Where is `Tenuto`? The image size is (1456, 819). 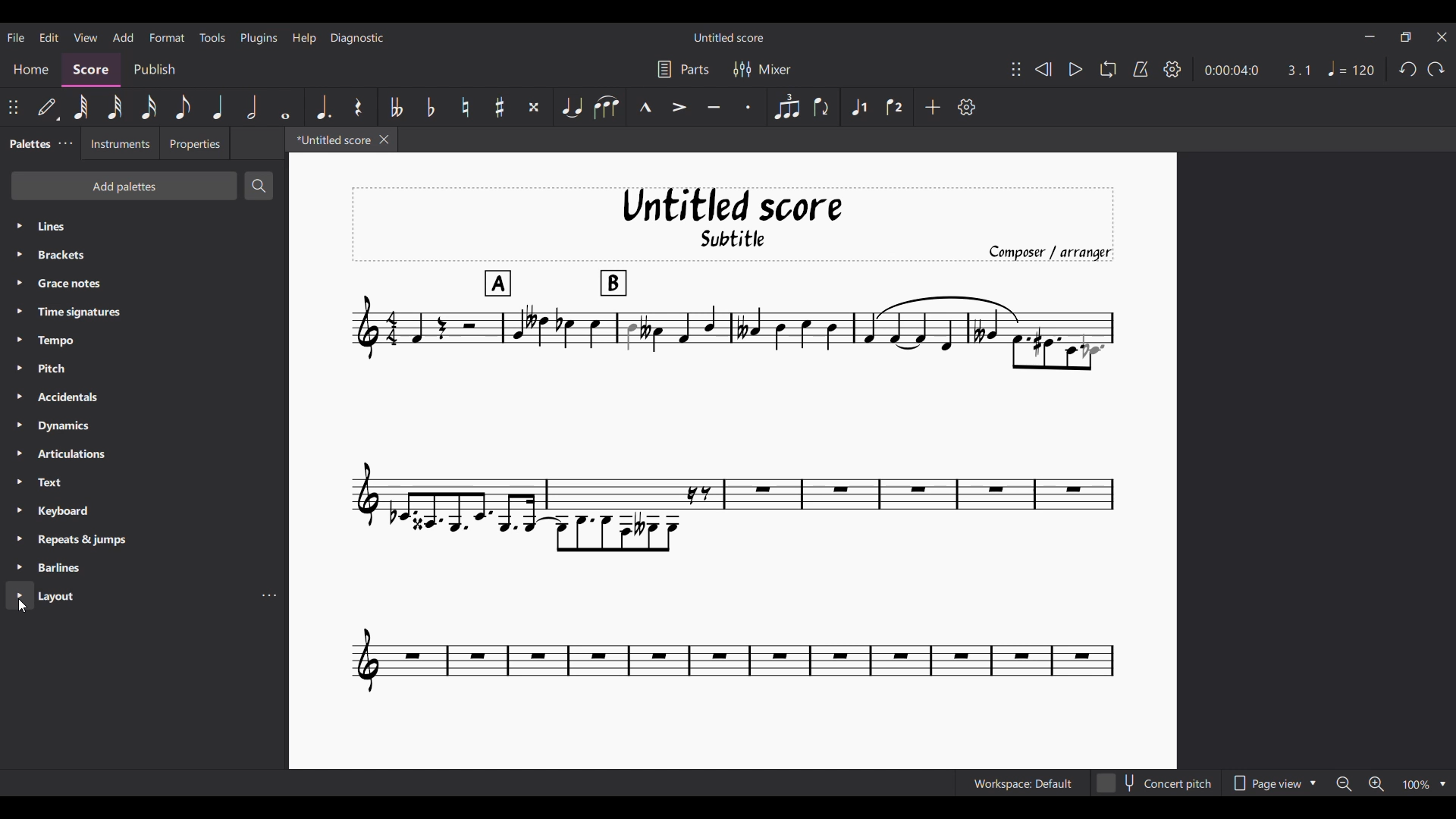
Tenuto is located at coordinates (714, 108).